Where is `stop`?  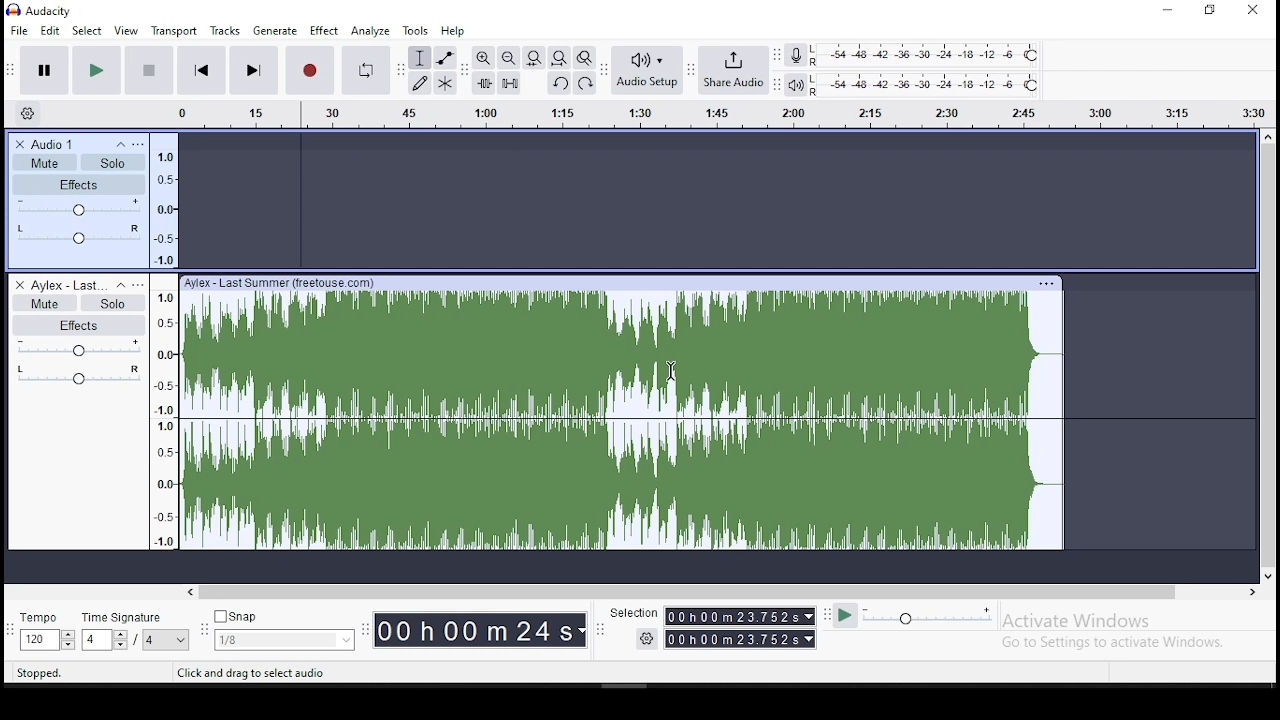 stop is located at coordinates (150, 70).